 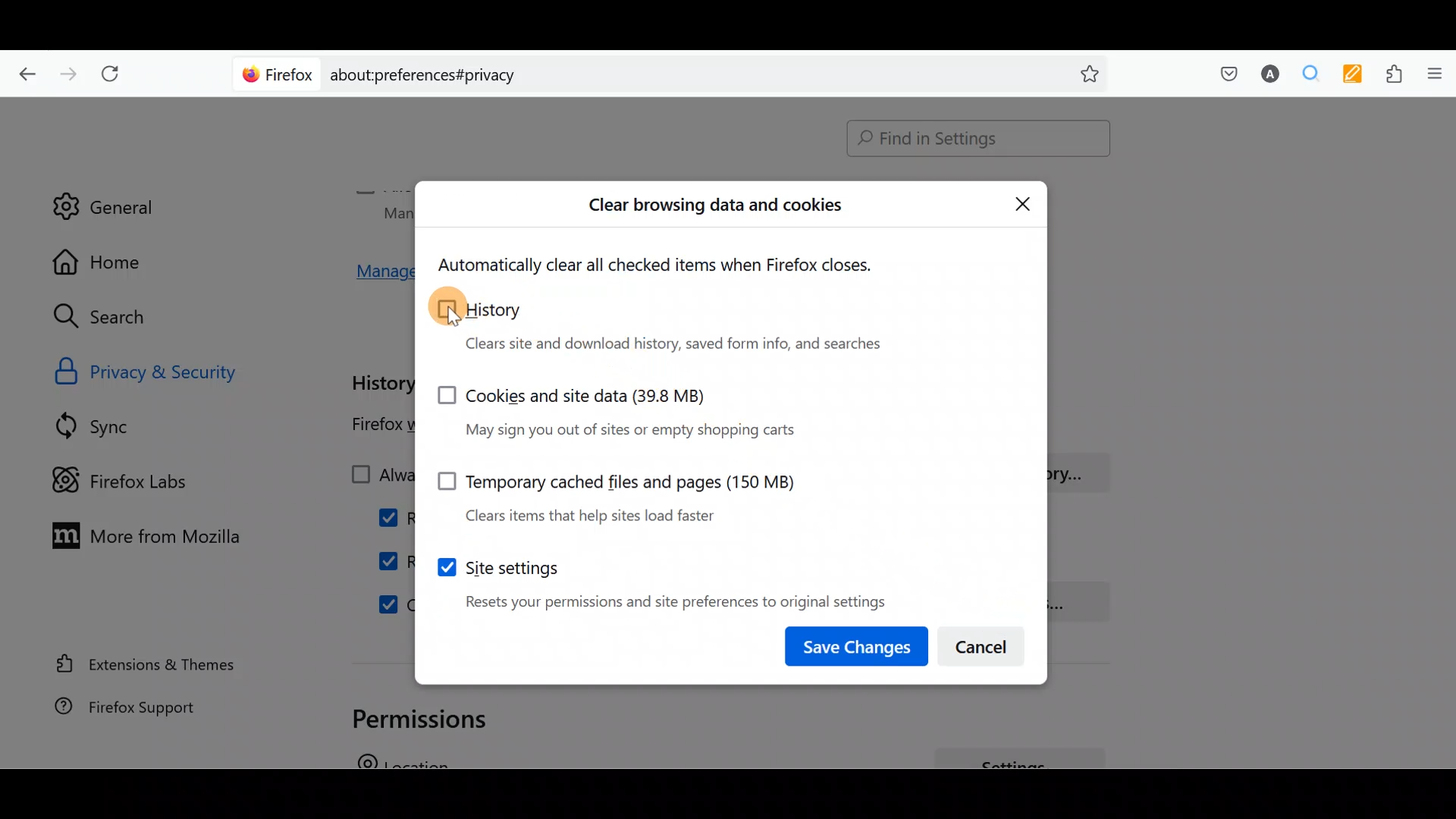 I want to click on History, so click(x=673, y=325).